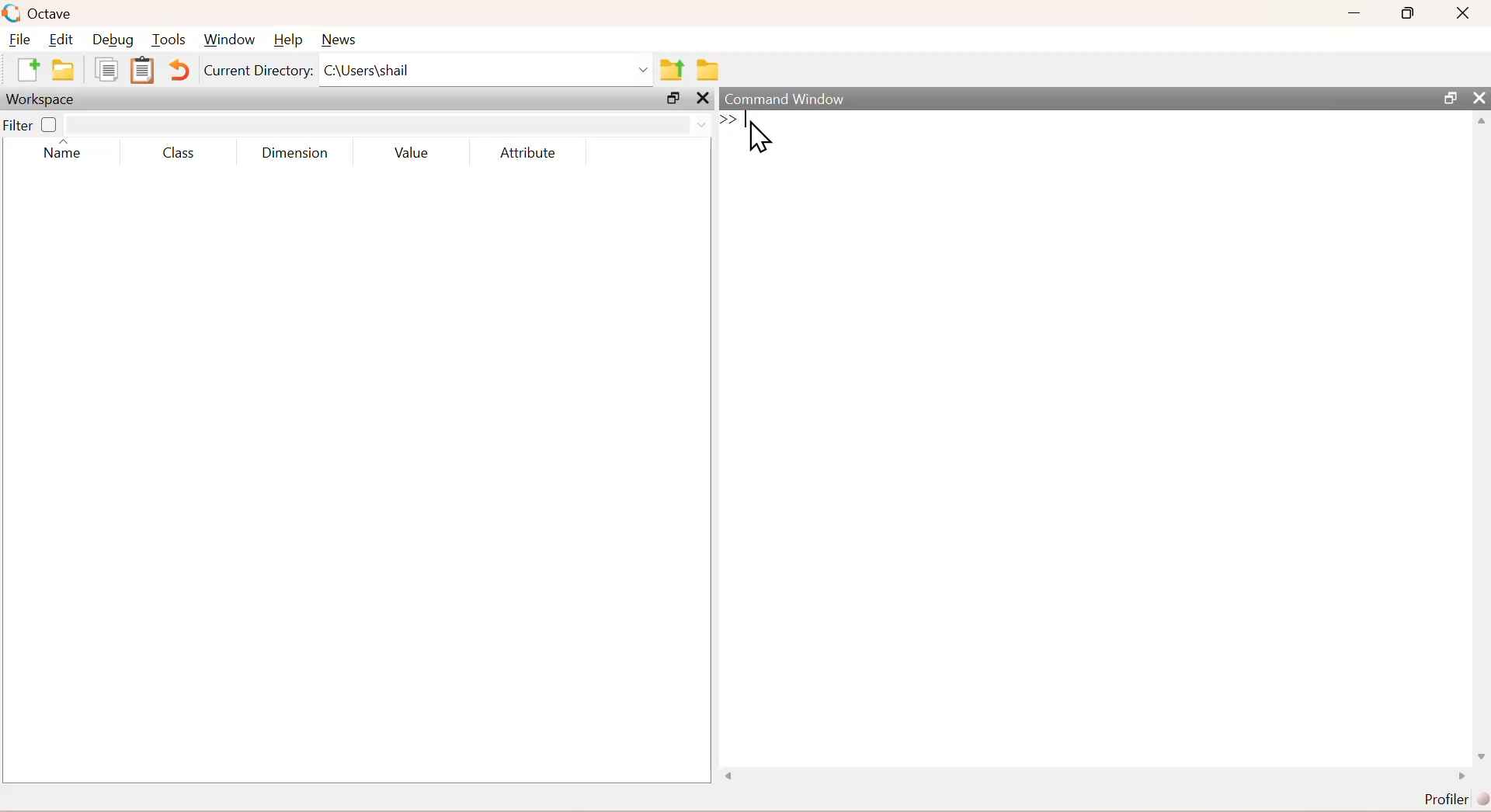  I want to click on DImension, so click(295, 150).